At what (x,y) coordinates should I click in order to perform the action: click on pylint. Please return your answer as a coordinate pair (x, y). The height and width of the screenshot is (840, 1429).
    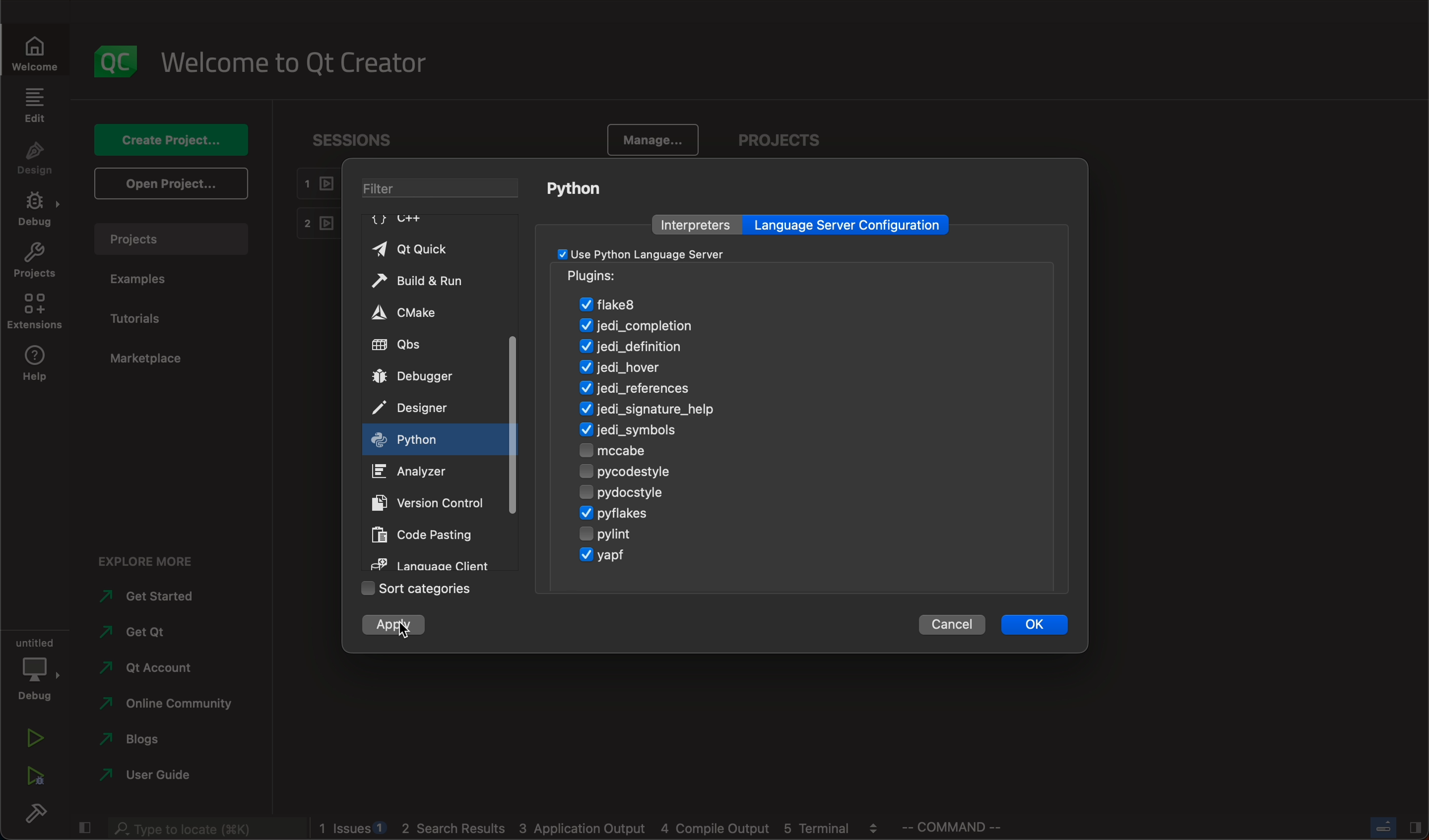
    Looking at the image, I should click on (612, 533).